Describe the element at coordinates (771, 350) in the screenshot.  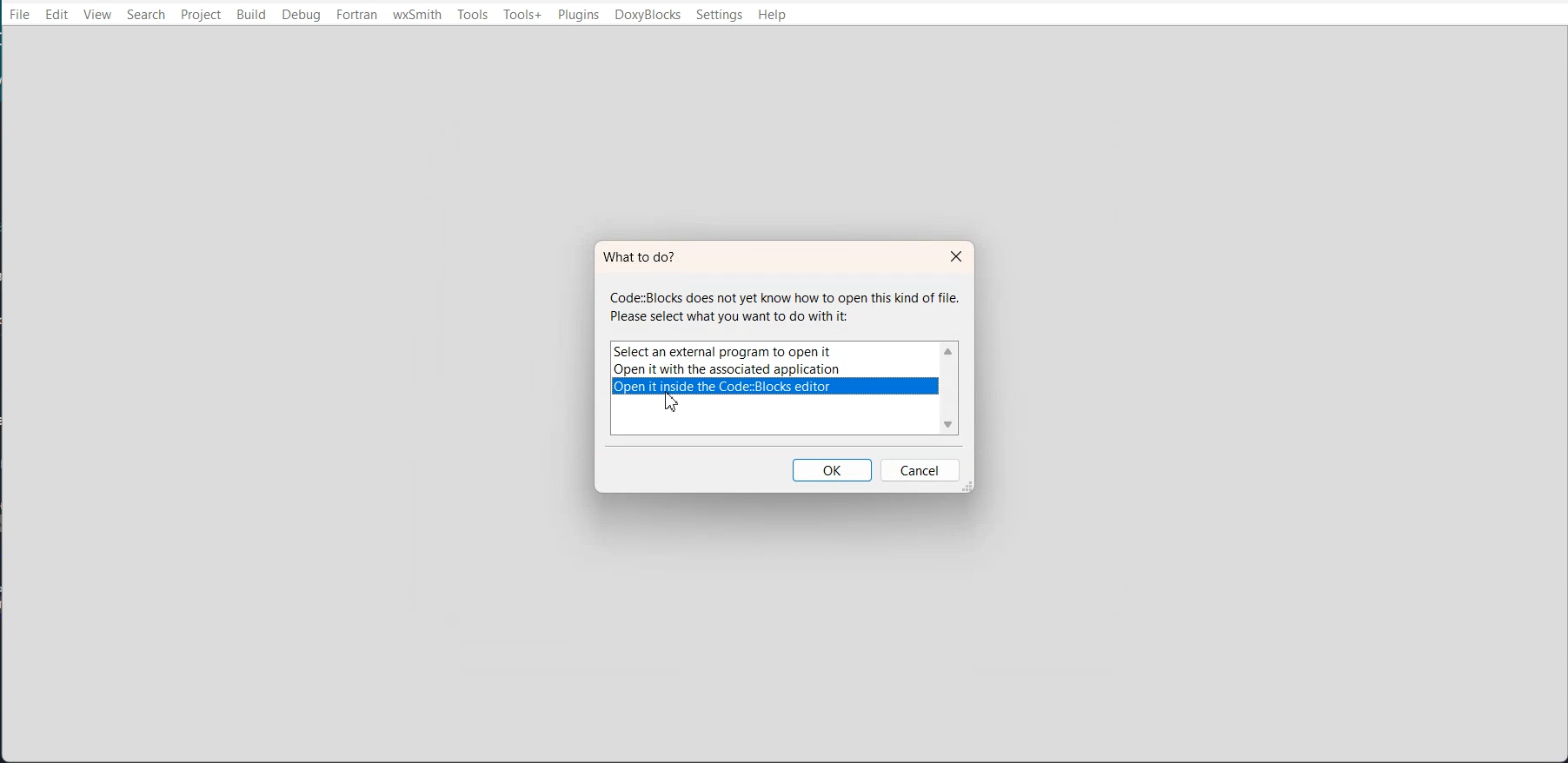
I see `Select an external program to open it` at that location.